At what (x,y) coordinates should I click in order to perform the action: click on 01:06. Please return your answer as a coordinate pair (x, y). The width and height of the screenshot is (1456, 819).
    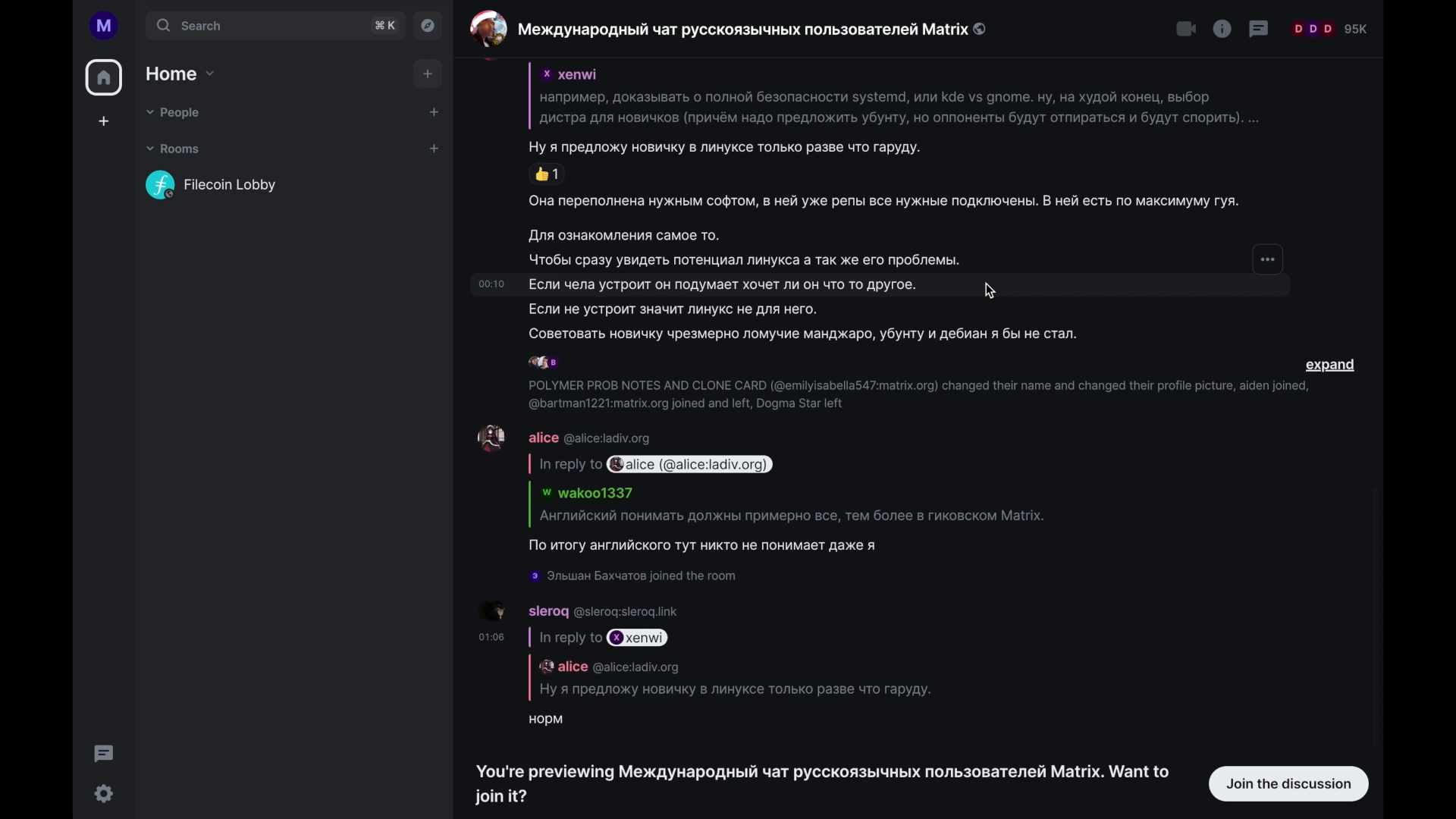
    Looking at the image, I should click on (489, 639).